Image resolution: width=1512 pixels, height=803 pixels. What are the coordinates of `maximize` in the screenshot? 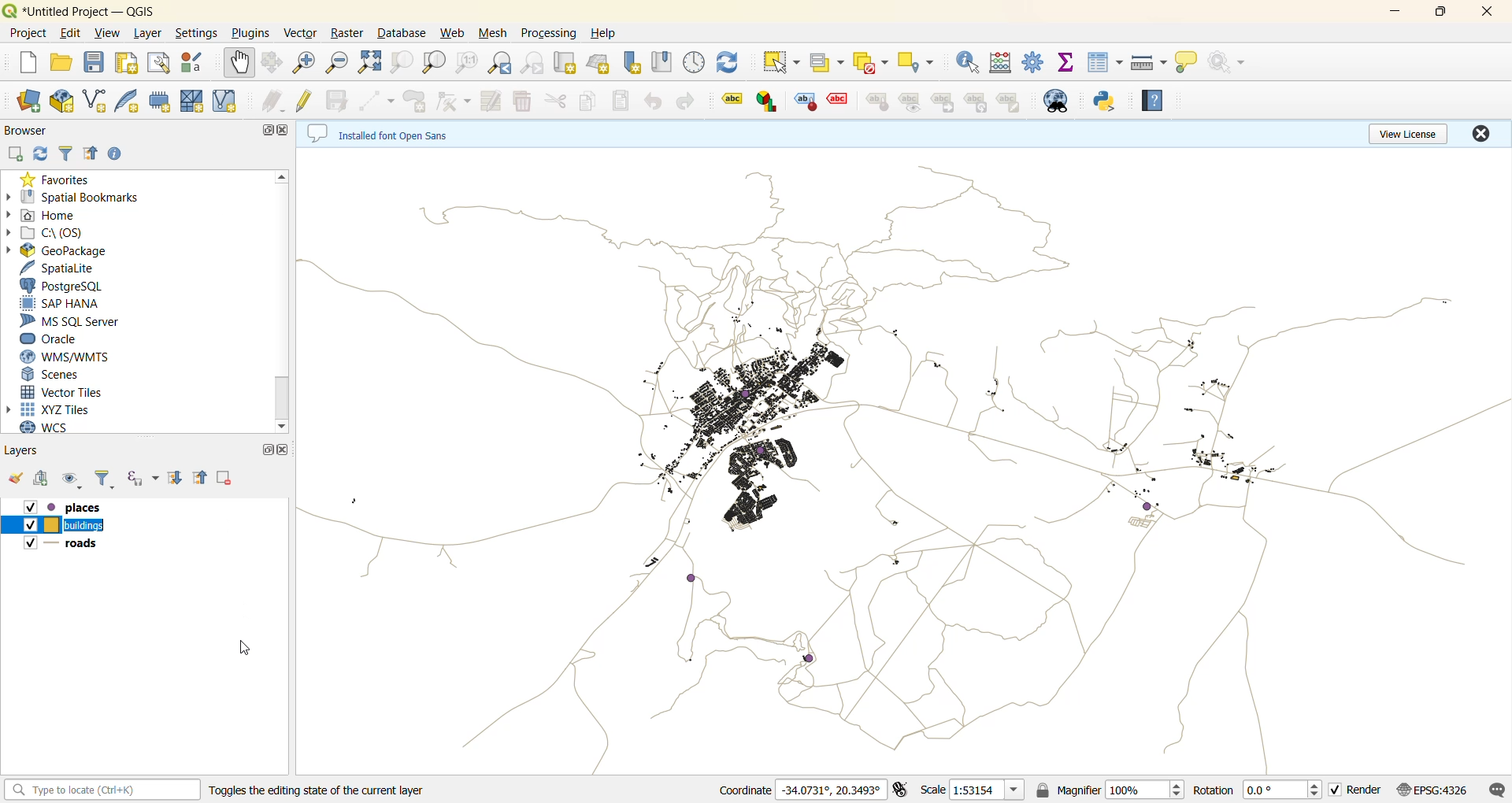 It's located at (265, 449).